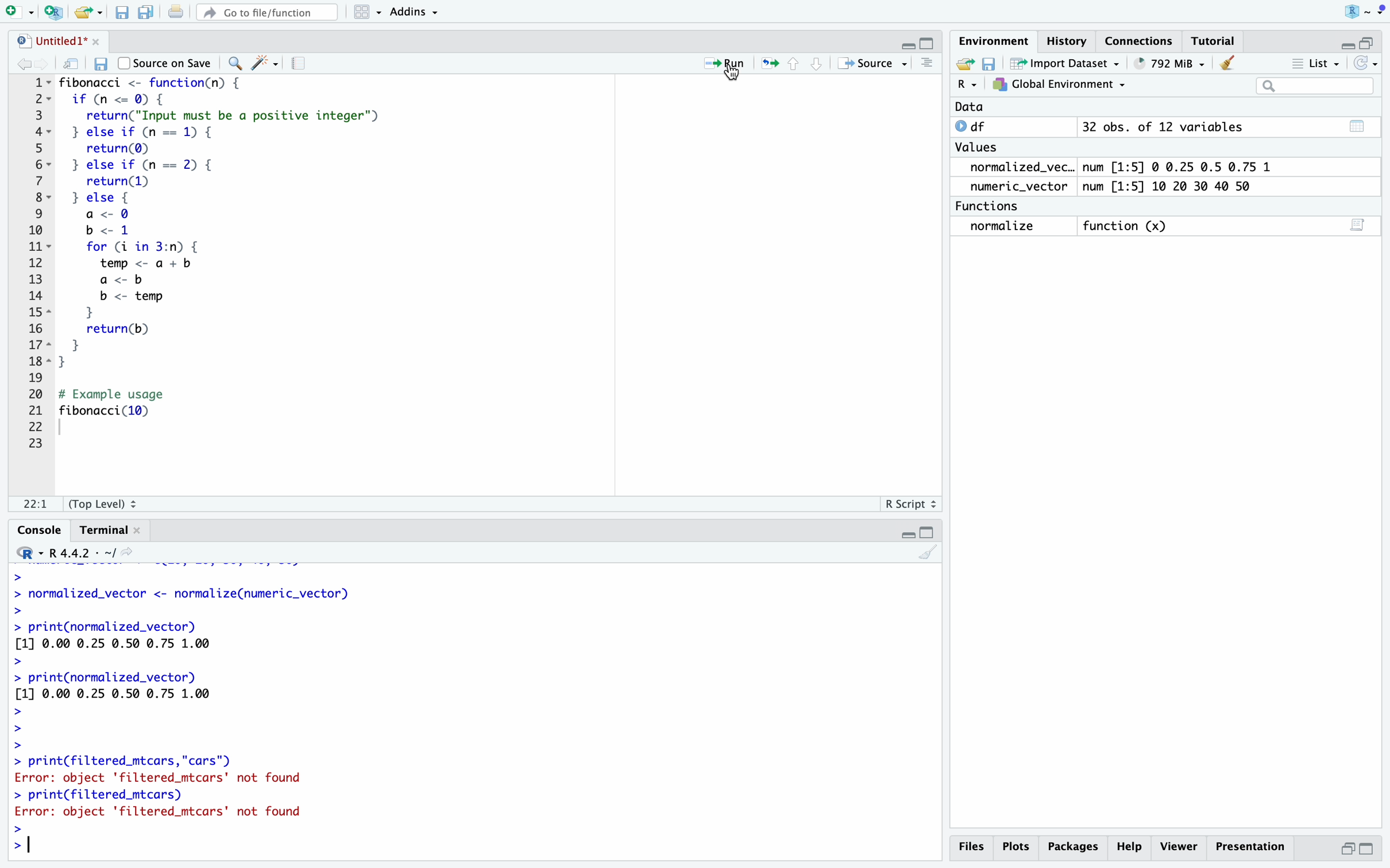 Image resolution: width=1390 pixels, height=868 pixels. I want to click on help, so click(1131, 848).